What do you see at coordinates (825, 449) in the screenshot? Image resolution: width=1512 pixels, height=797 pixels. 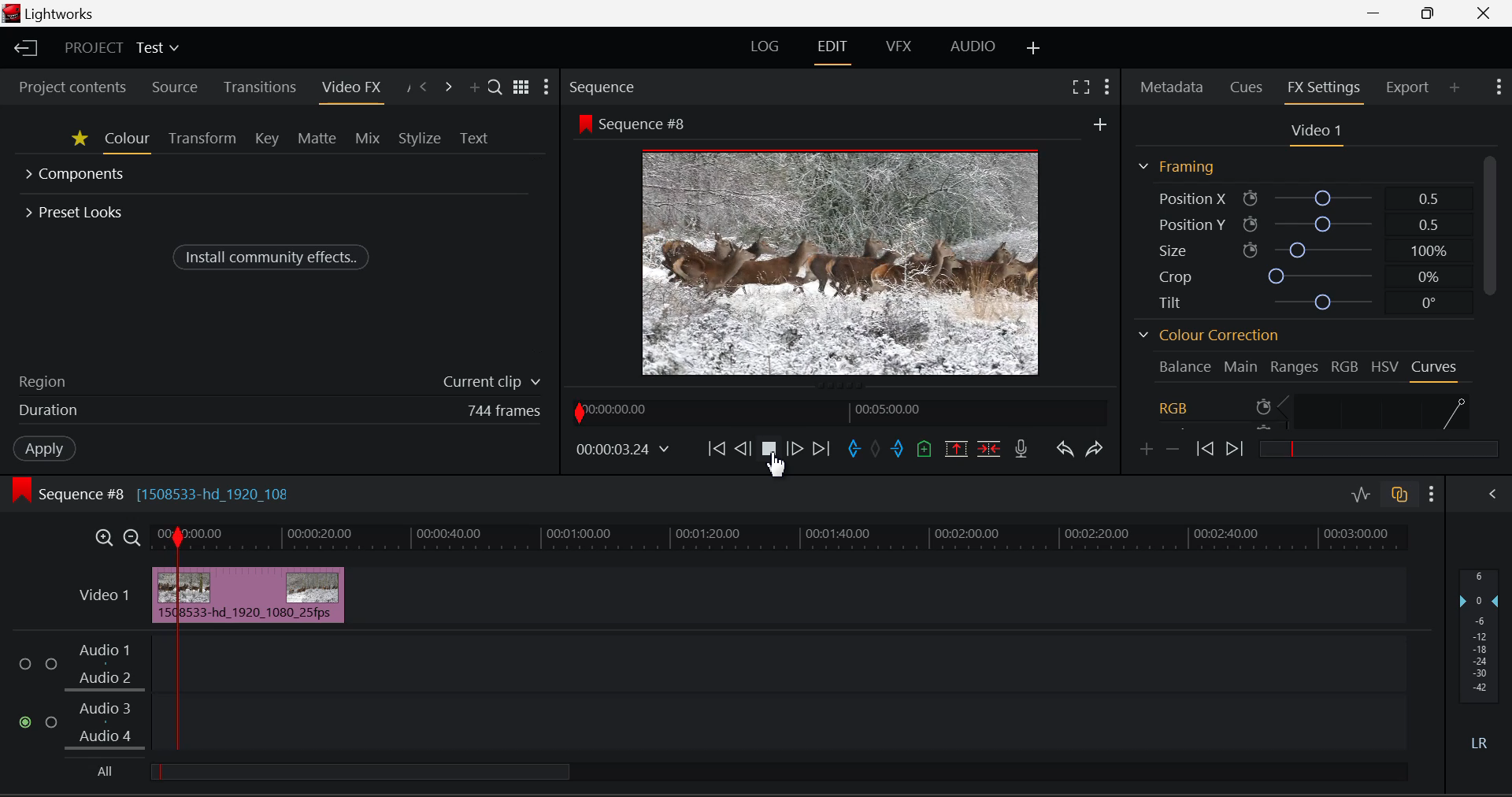 I see `To End` at bounding box center [825, 449].